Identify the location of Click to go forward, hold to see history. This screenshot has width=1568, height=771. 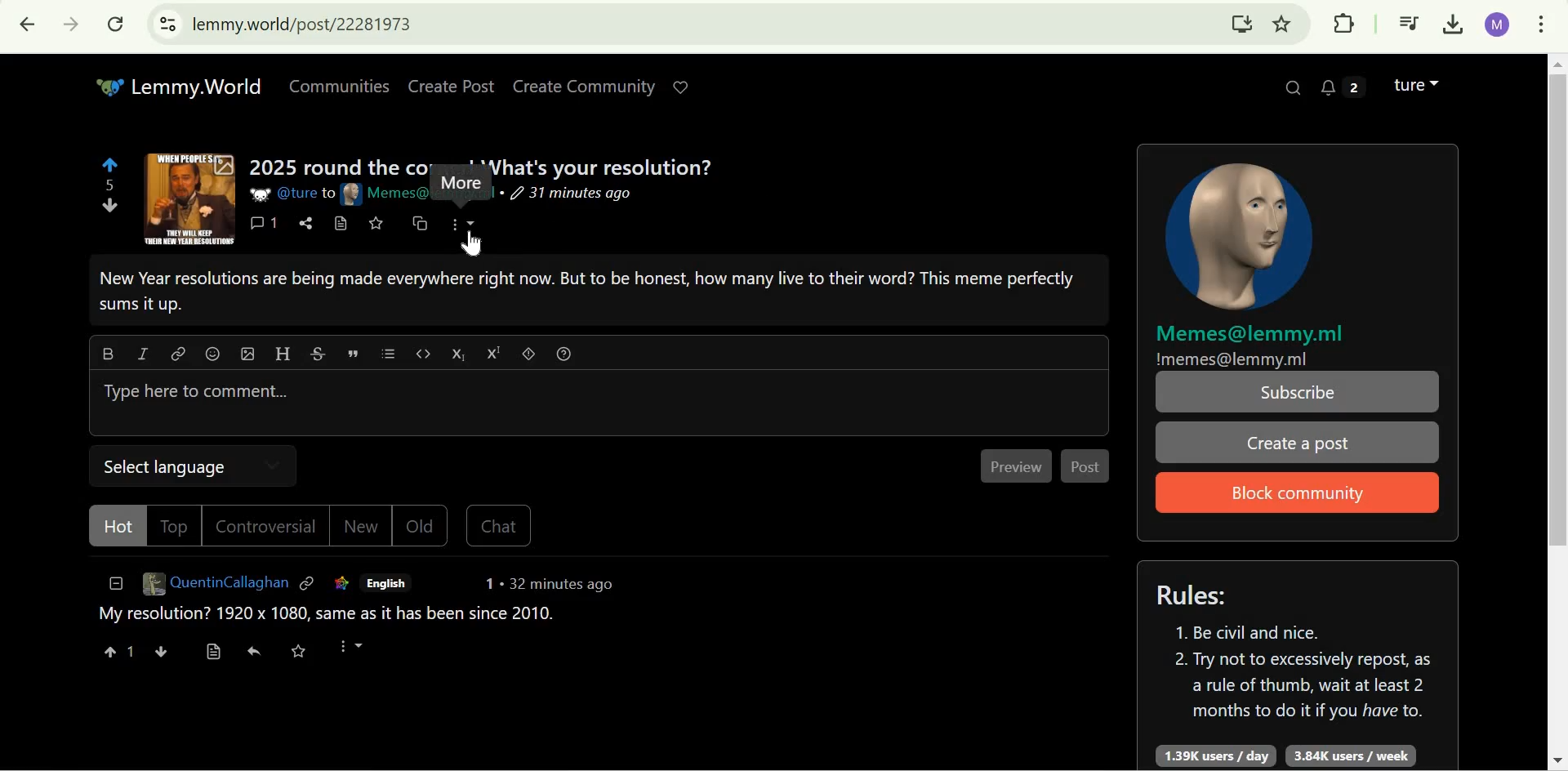
(72, 25).